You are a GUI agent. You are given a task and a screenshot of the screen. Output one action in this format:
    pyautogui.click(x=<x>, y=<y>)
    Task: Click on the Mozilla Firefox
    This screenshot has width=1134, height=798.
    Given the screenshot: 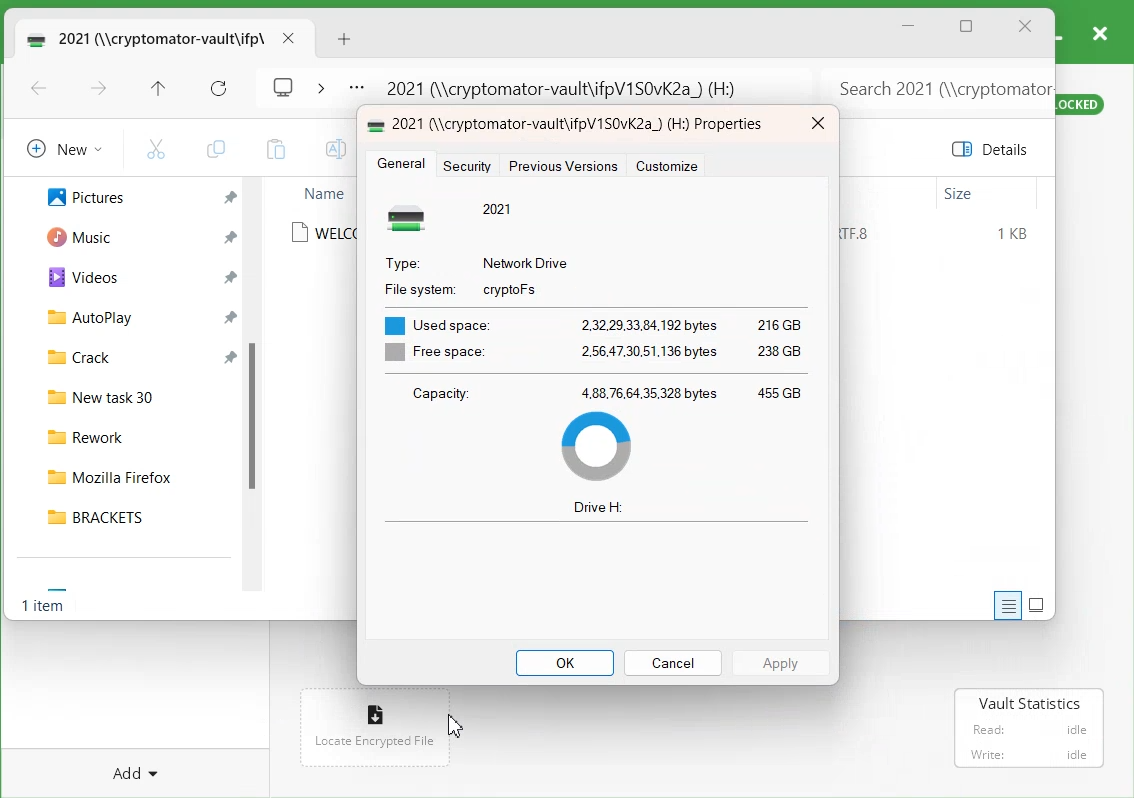 What is the action you would take?
    pyautogui.click(x=131, y=473)
    